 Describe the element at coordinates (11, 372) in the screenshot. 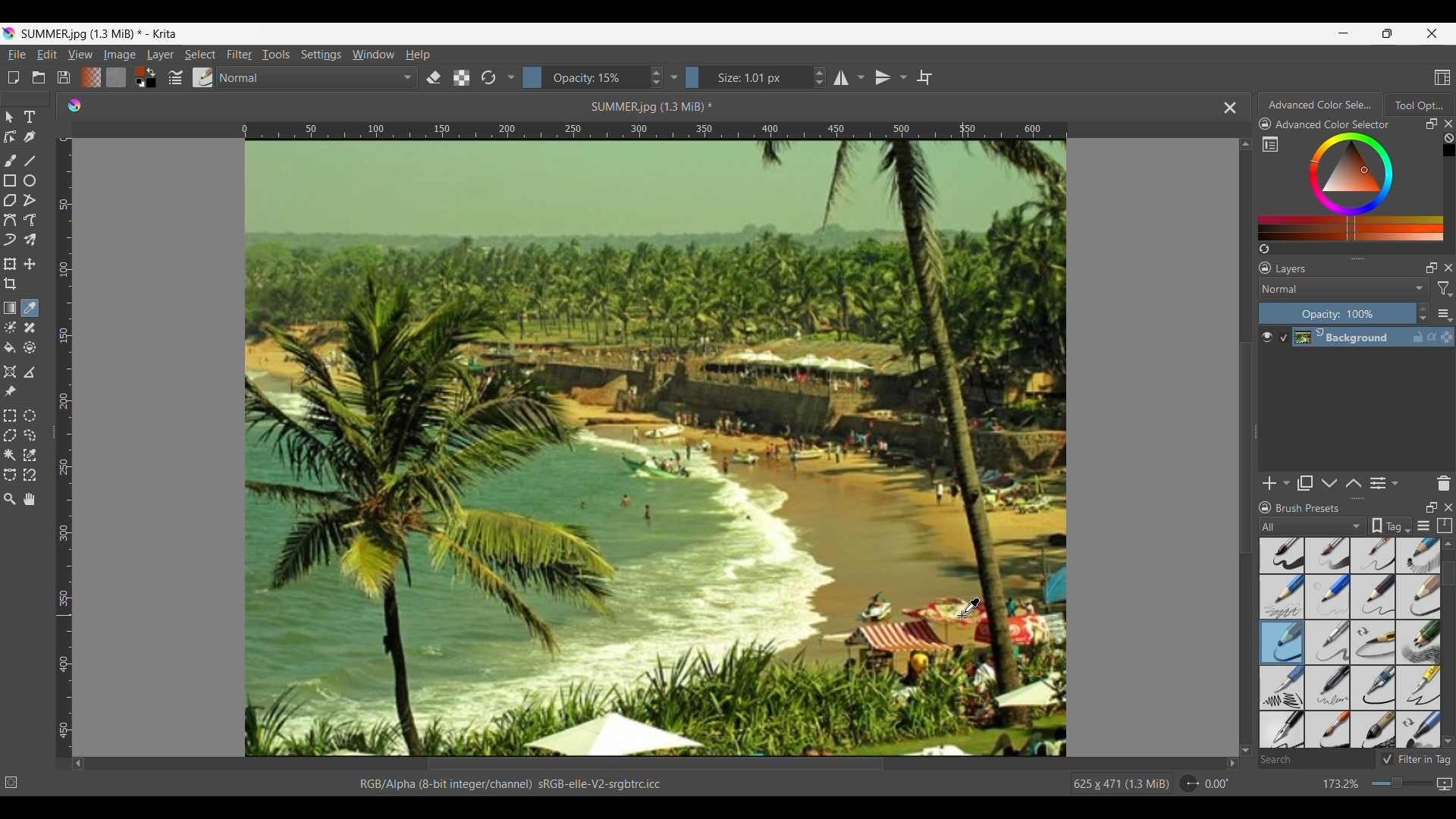

I see `Assistant tool` at that location.